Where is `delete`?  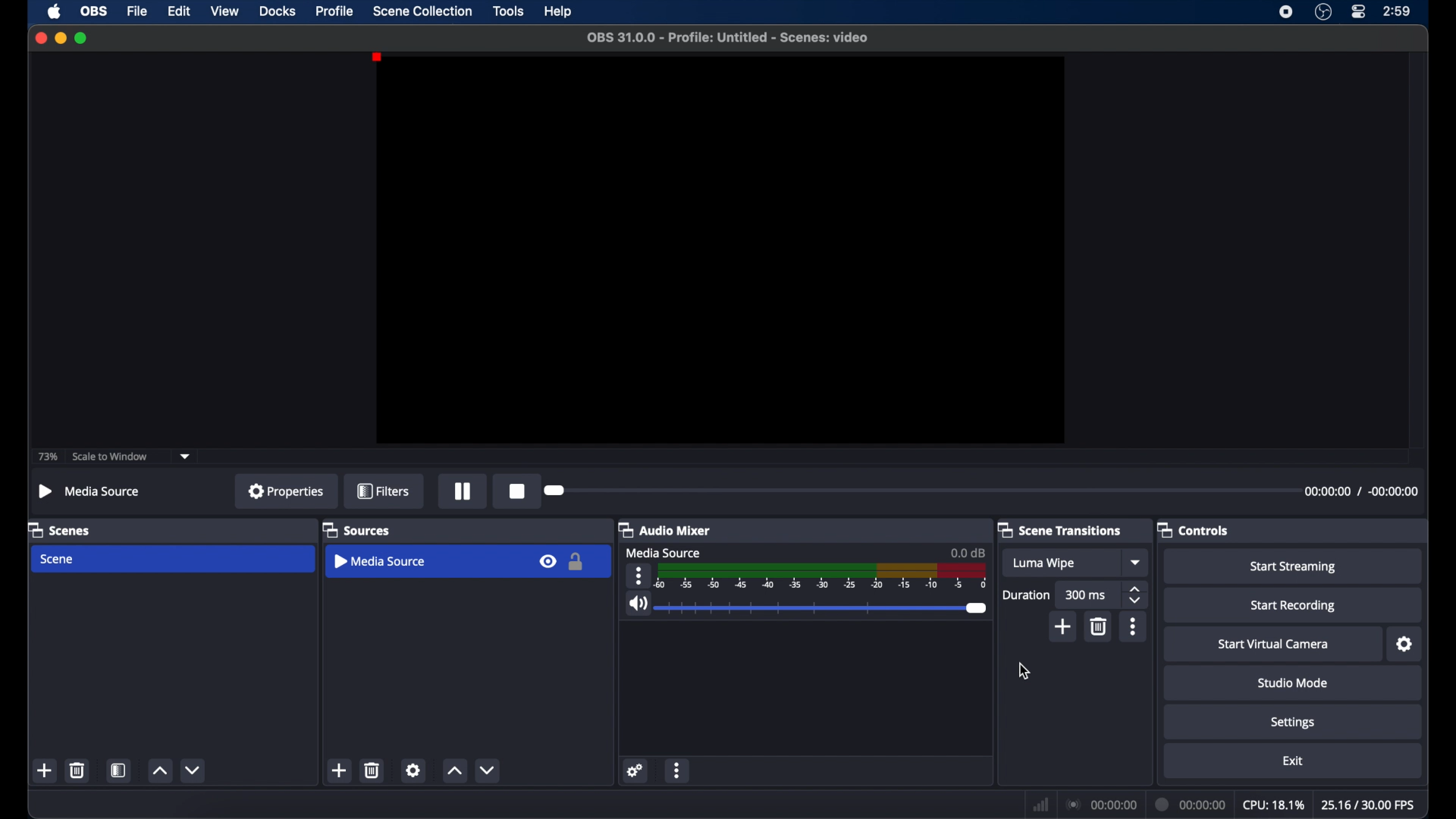 delete is located at coordinates (77, 770).